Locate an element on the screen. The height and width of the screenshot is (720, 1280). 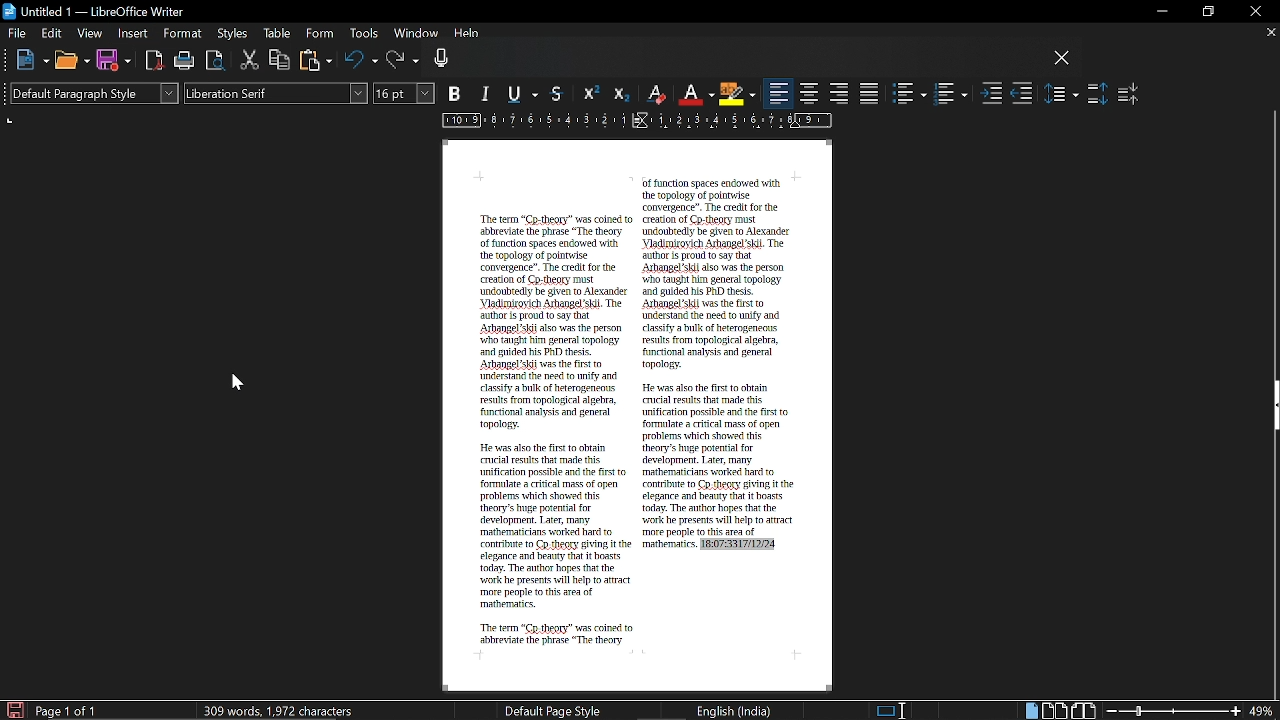
Justified is located at coordinates (870, 93).